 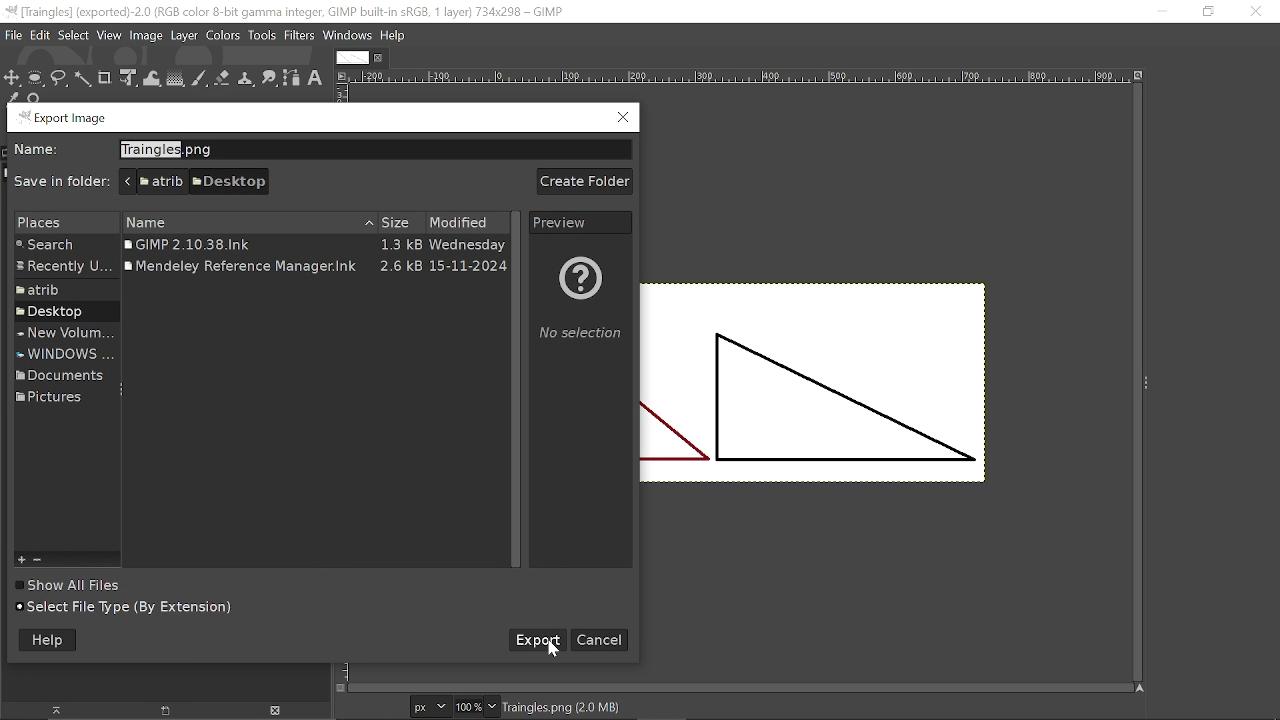 What do you see at coordinates (340, 75) in the screenshot?
I see `Access image options` at bounding box center [340, 75].